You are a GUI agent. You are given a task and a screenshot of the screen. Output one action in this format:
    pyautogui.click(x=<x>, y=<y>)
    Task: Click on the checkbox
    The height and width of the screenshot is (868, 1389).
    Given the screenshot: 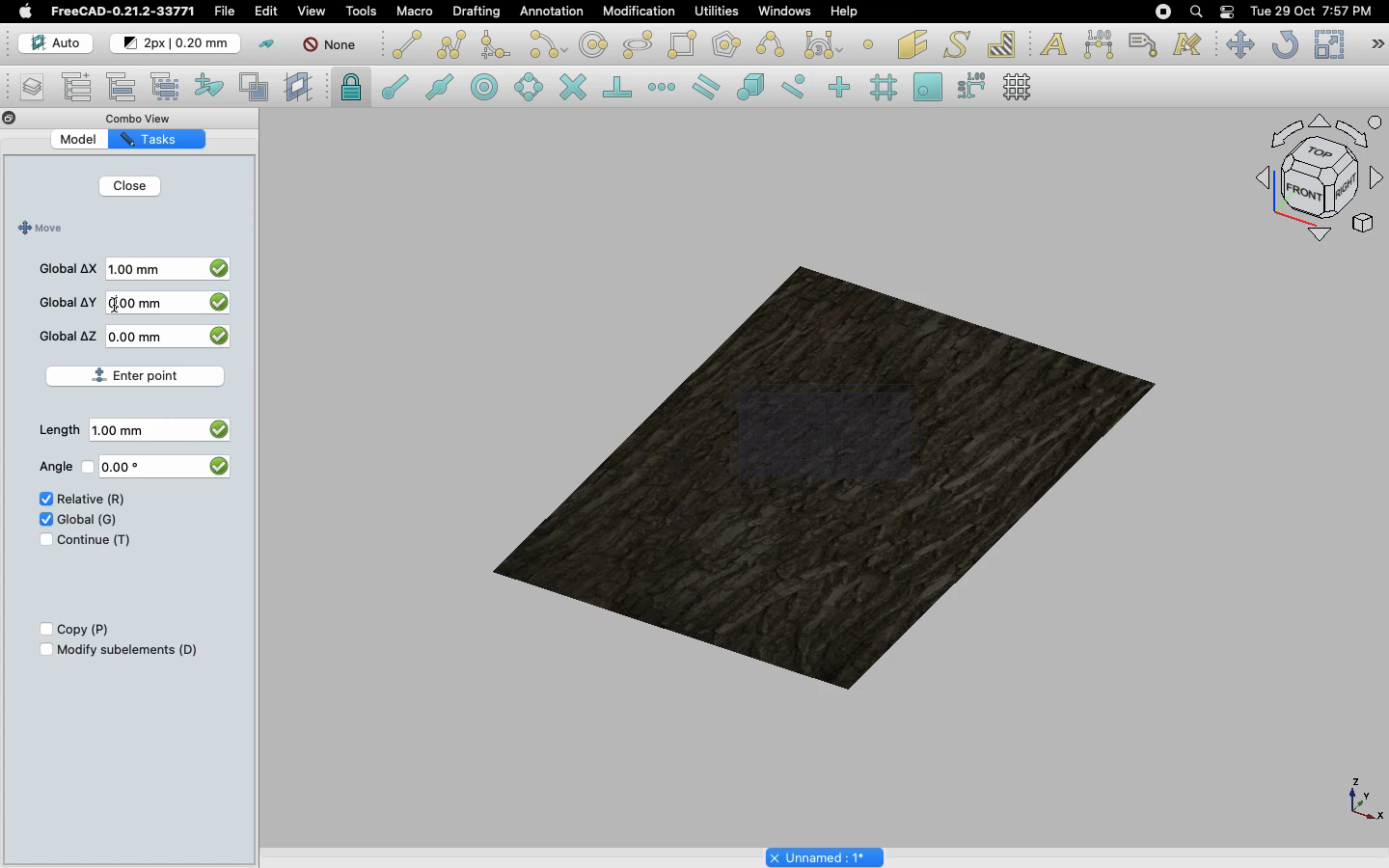 What is the action you would take?
    pyautogui.click(x=217, y=465)
    